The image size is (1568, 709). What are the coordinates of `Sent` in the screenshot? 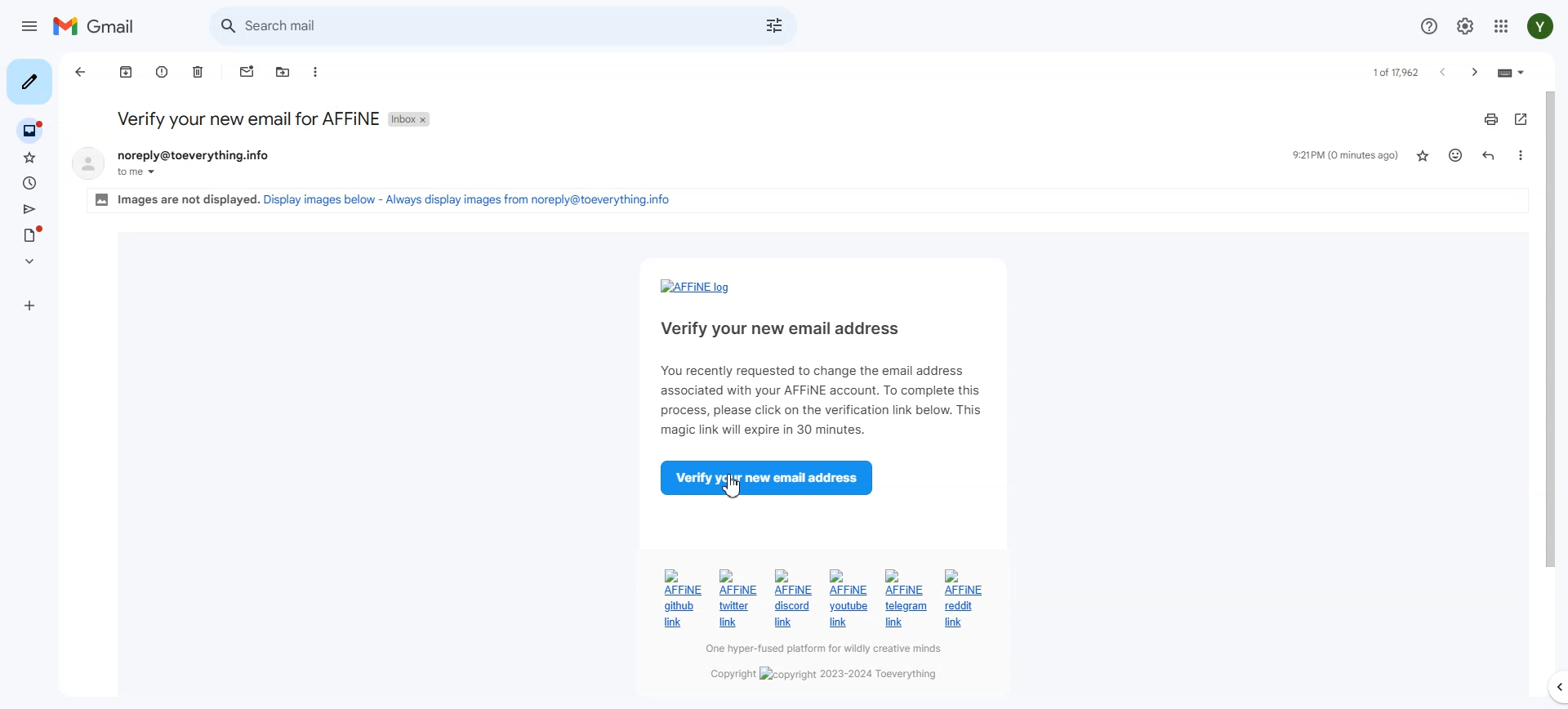 It's located at (29, 207).